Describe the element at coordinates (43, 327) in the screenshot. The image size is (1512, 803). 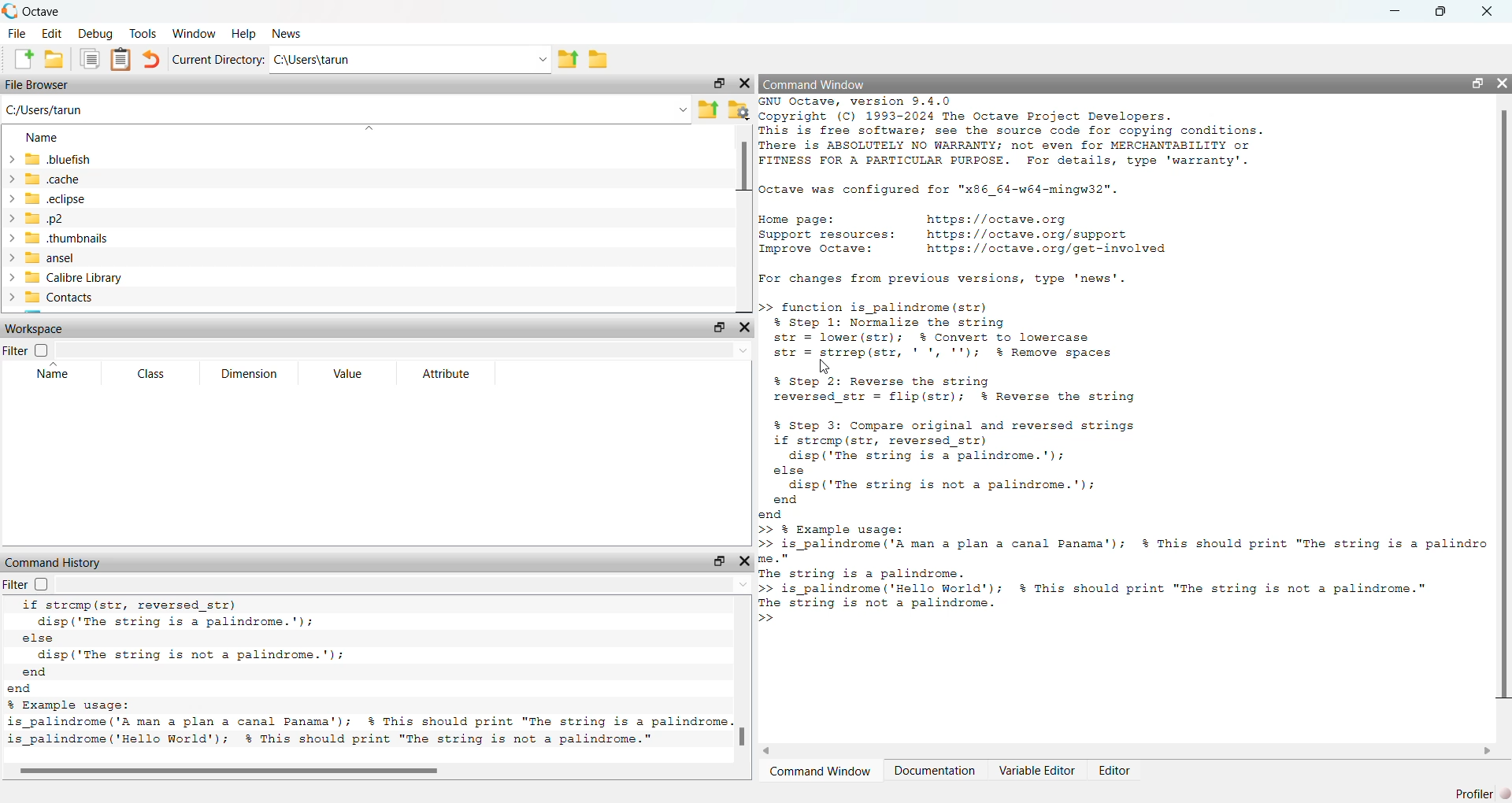
I see `workspace` at that location.